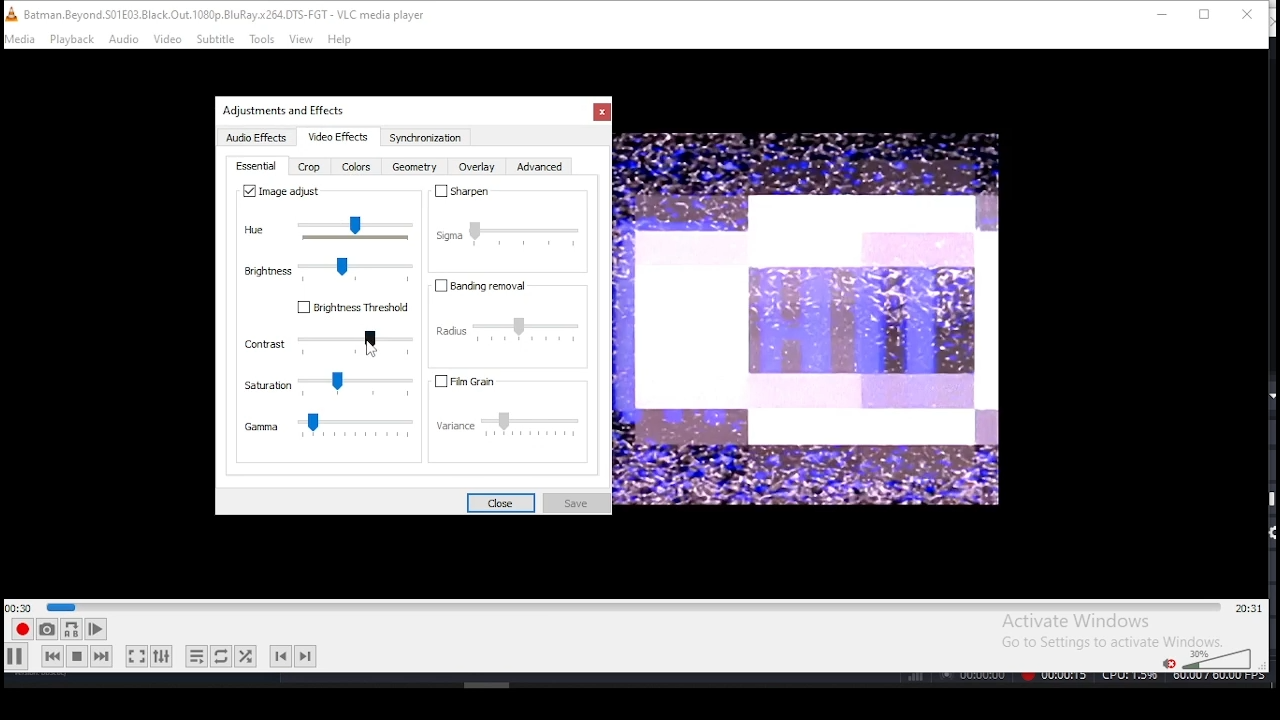 The image size is (1280, 720). I want to click on help, so click(339, 39).